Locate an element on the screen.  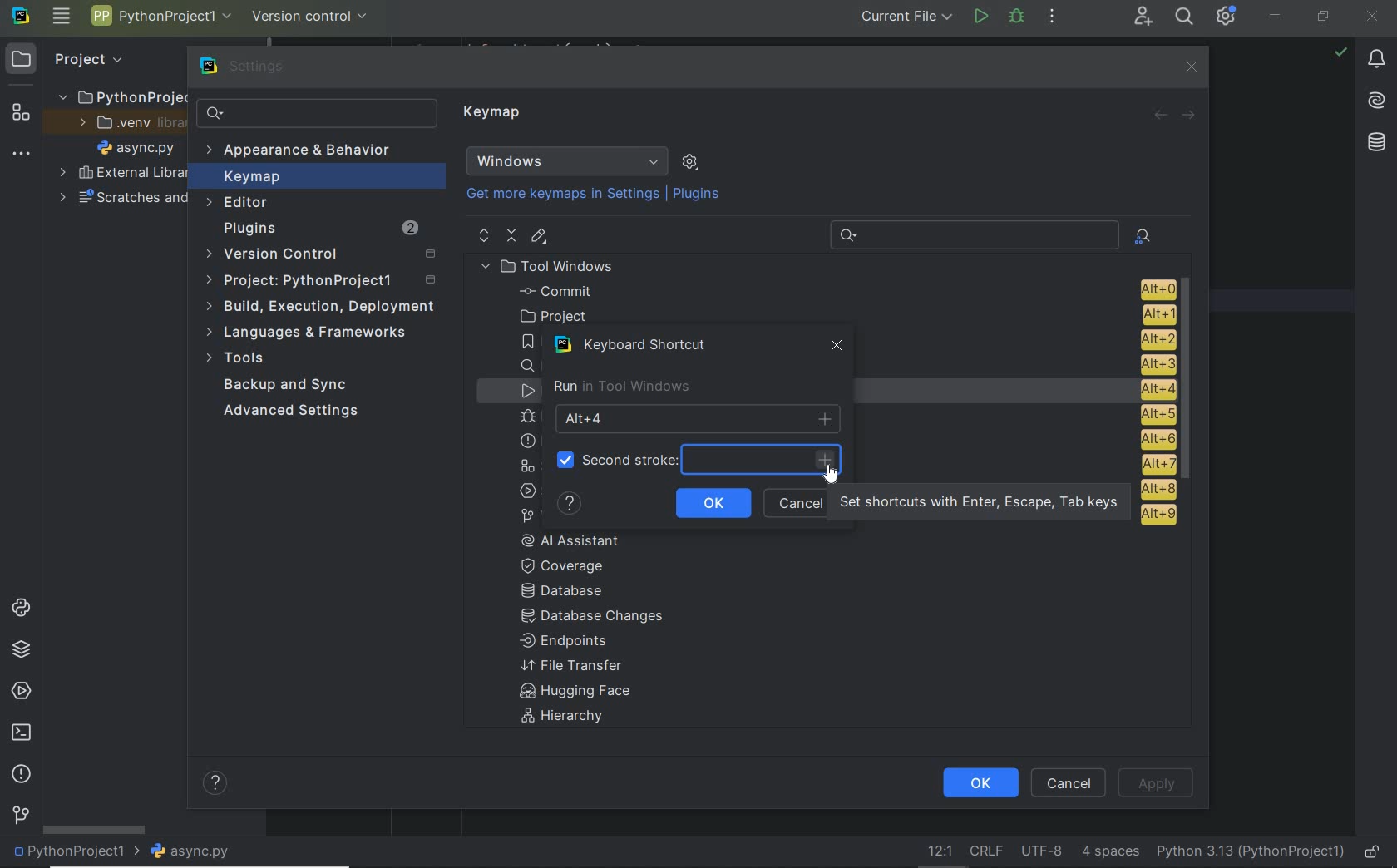
Debug is located at coordinates (1017, 17).